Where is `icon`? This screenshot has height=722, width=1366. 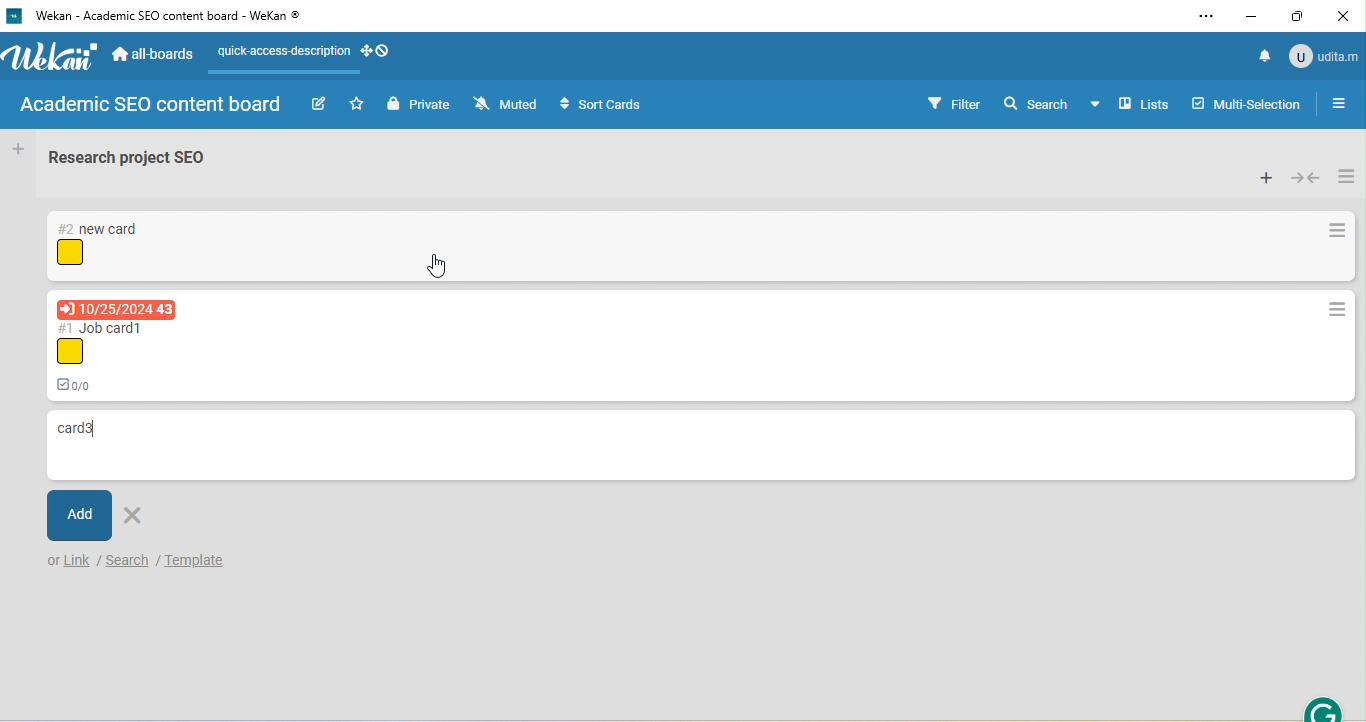
icon is located at coordinates (70, 253).